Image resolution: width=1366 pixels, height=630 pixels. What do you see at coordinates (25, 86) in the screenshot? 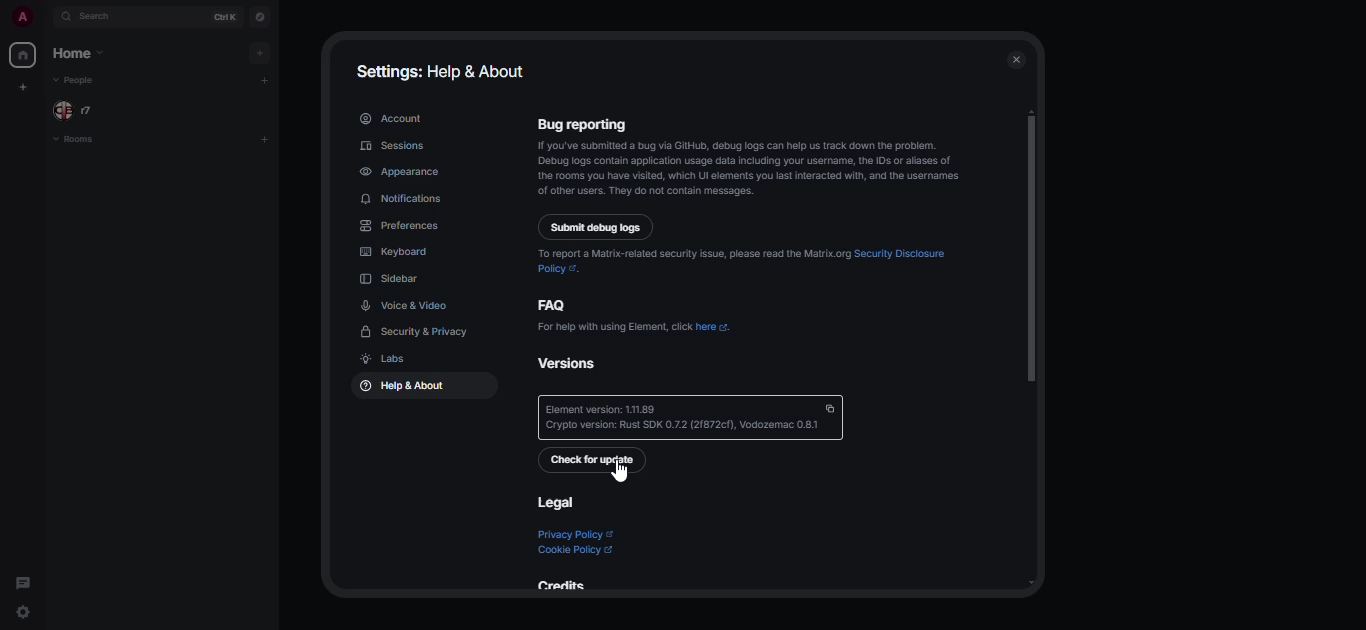
I see `create myspace` at bounding box center [25, 86].